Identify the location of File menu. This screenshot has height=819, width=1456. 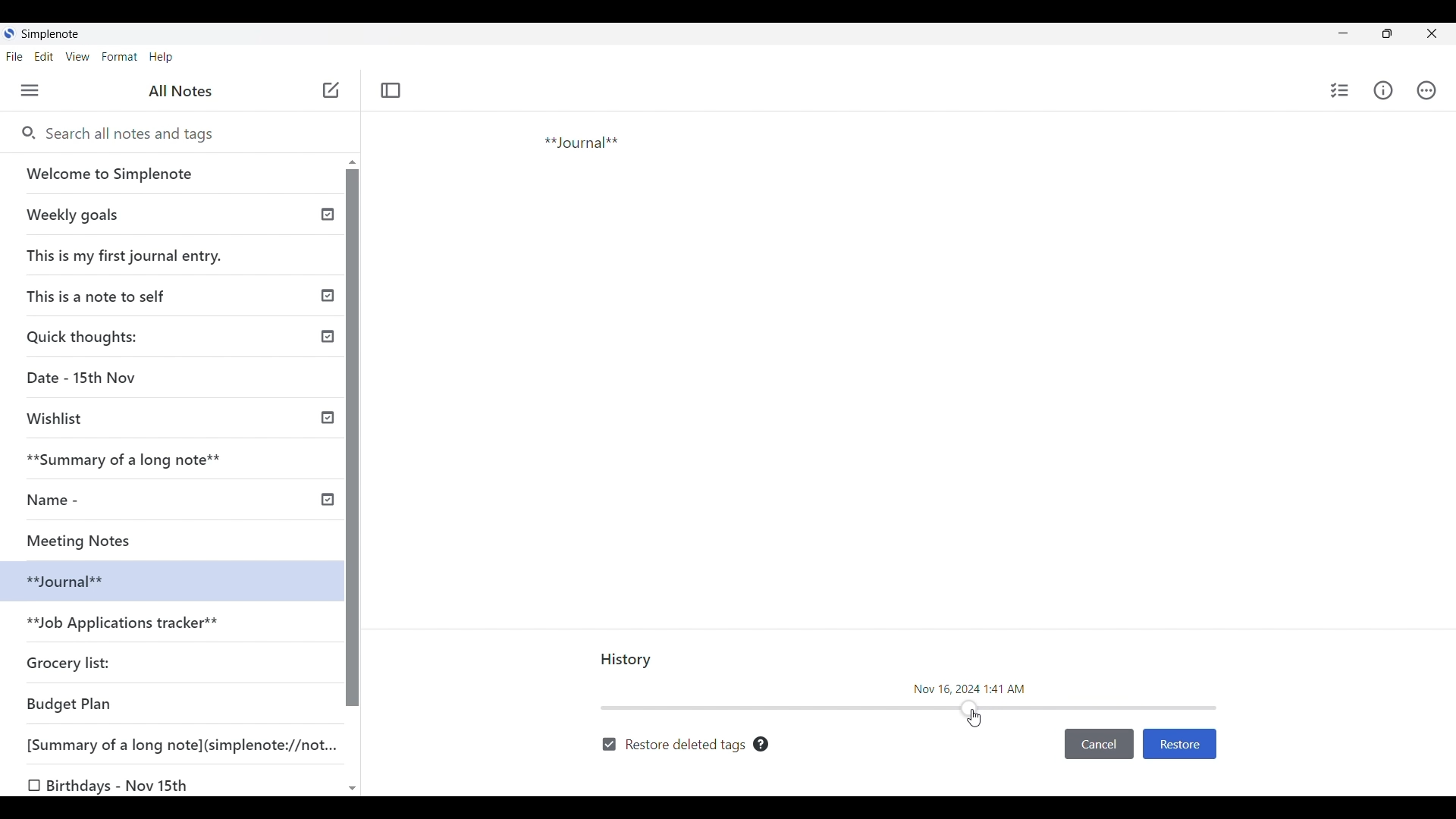
(15, 57).